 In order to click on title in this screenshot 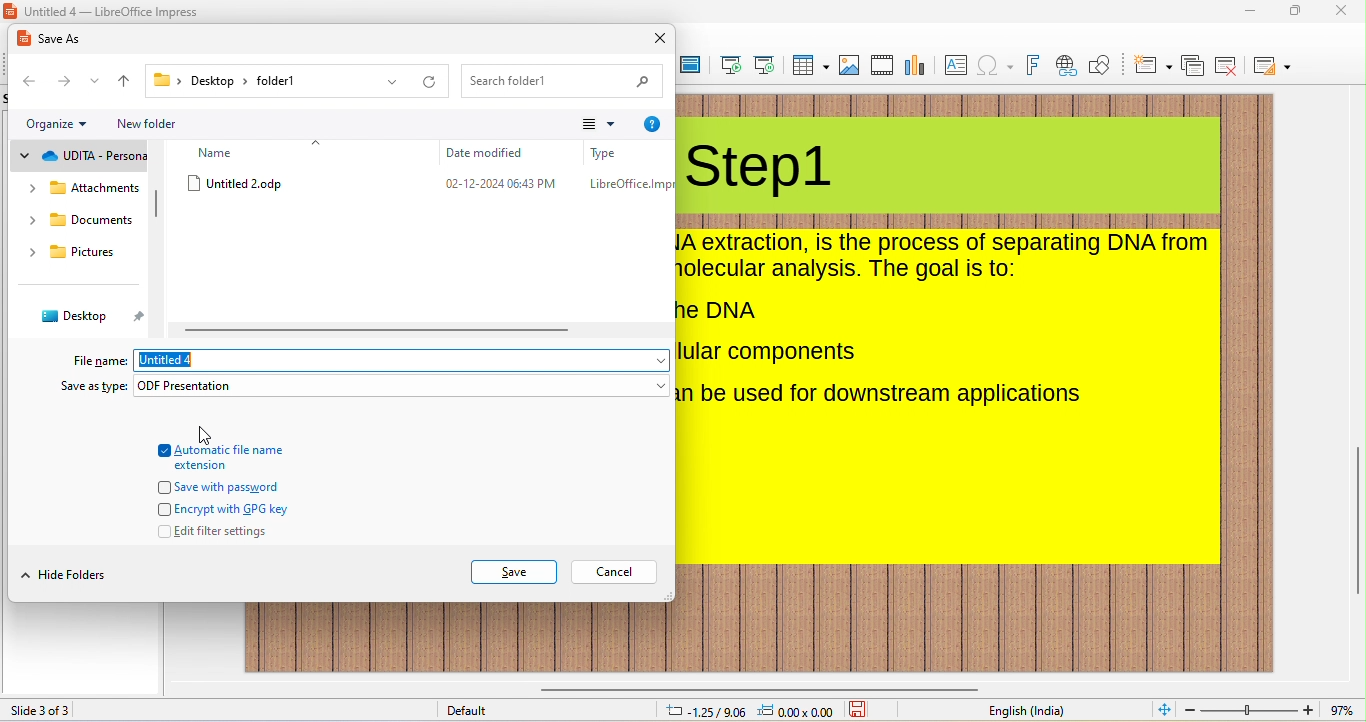, I will do `click(114, 11)`.